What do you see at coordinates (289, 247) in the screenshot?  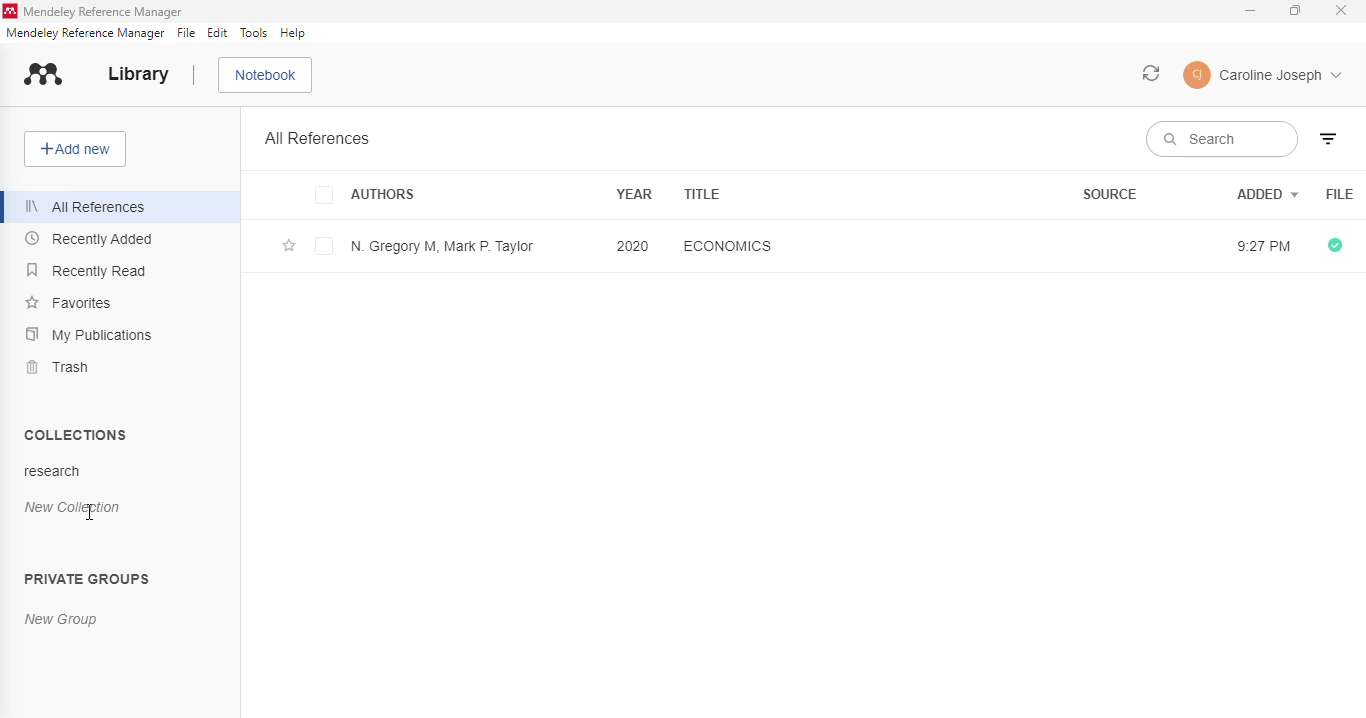 I see `add this reference to favorites` at bounding box center [289, 247].